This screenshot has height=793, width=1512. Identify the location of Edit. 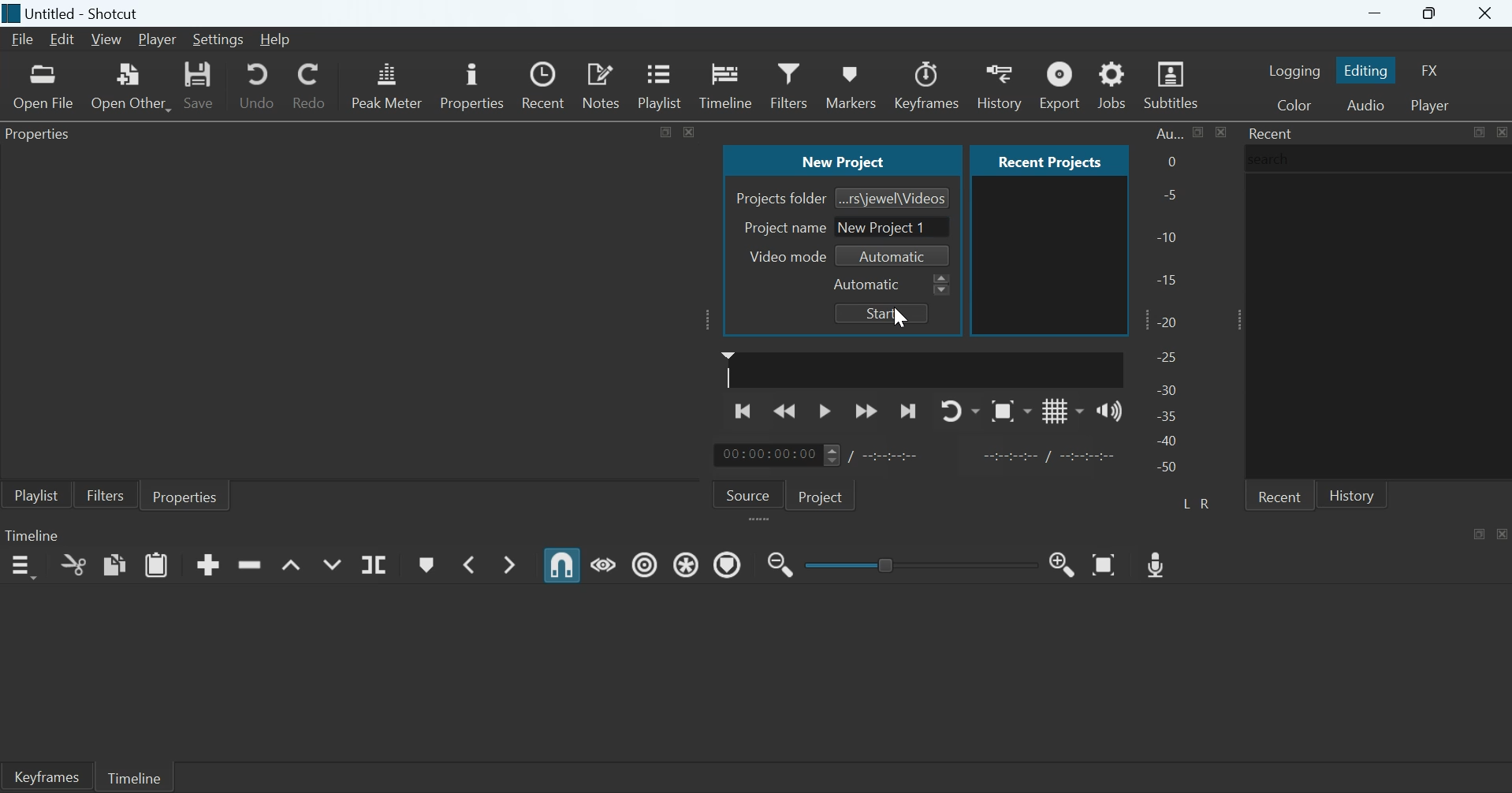
(61, 39).